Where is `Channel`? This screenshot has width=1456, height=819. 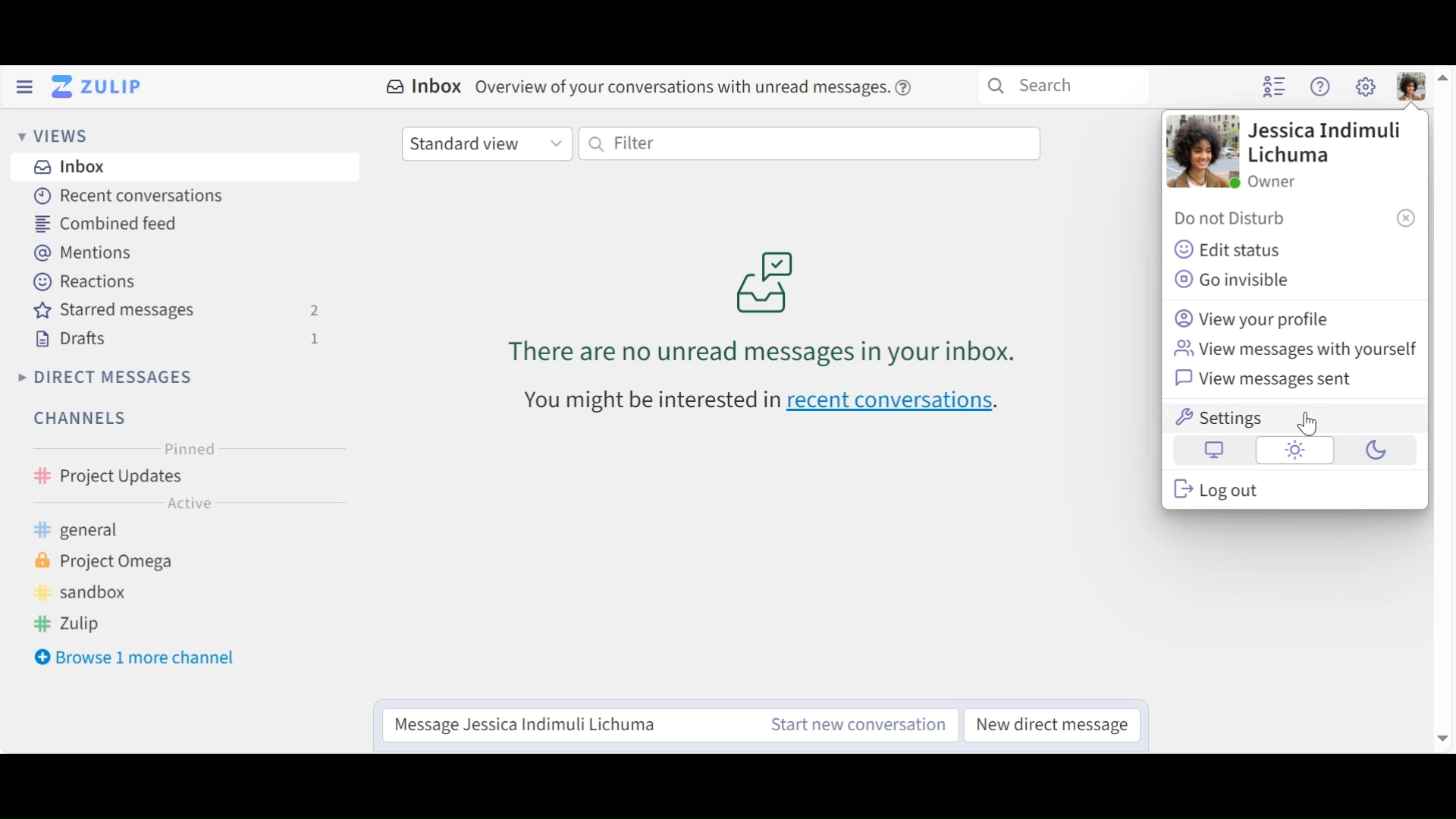 Channel is located at coordinates (185, 475).